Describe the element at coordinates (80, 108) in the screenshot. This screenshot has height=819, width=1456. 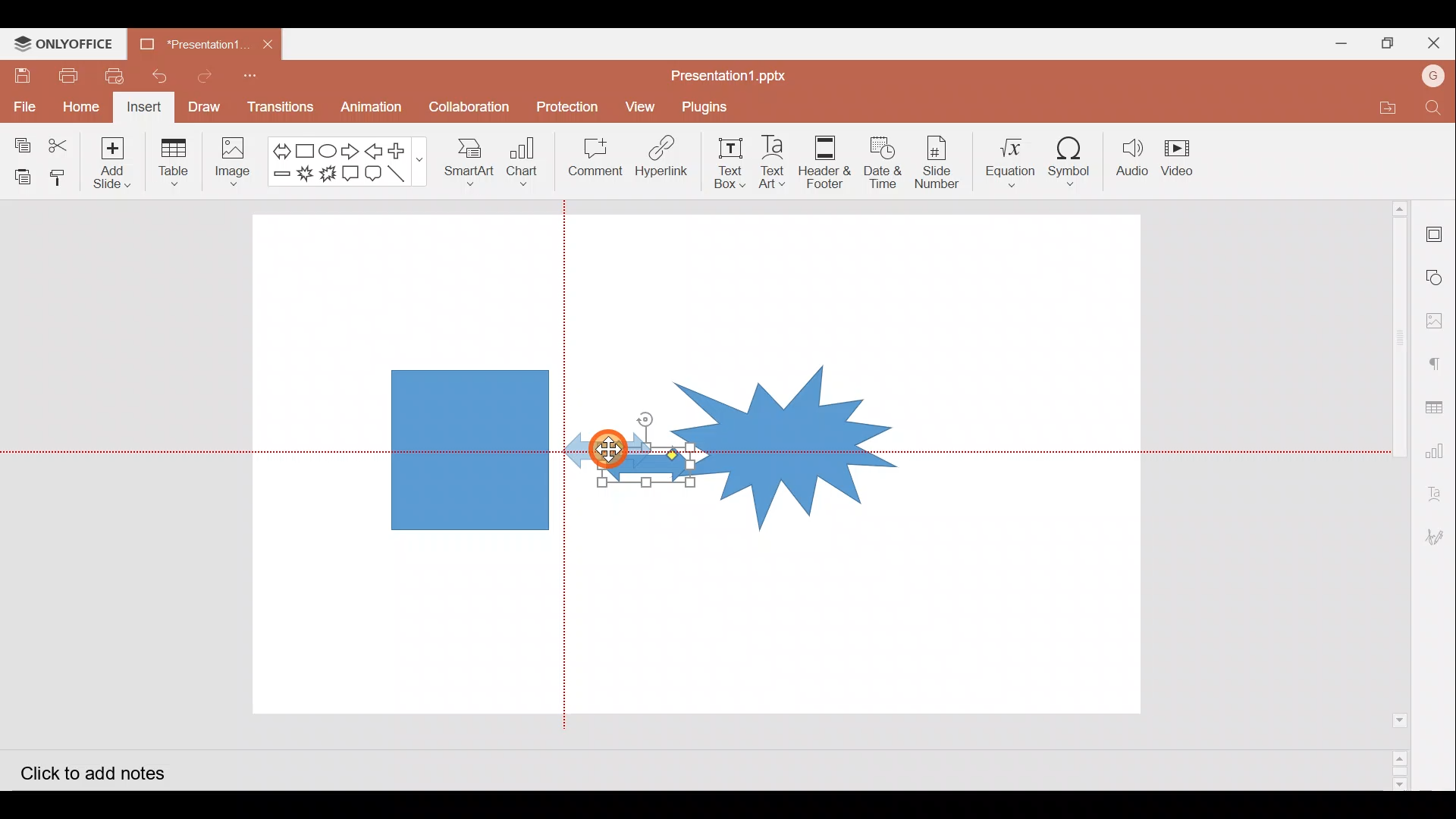
I see `Home` at that location.